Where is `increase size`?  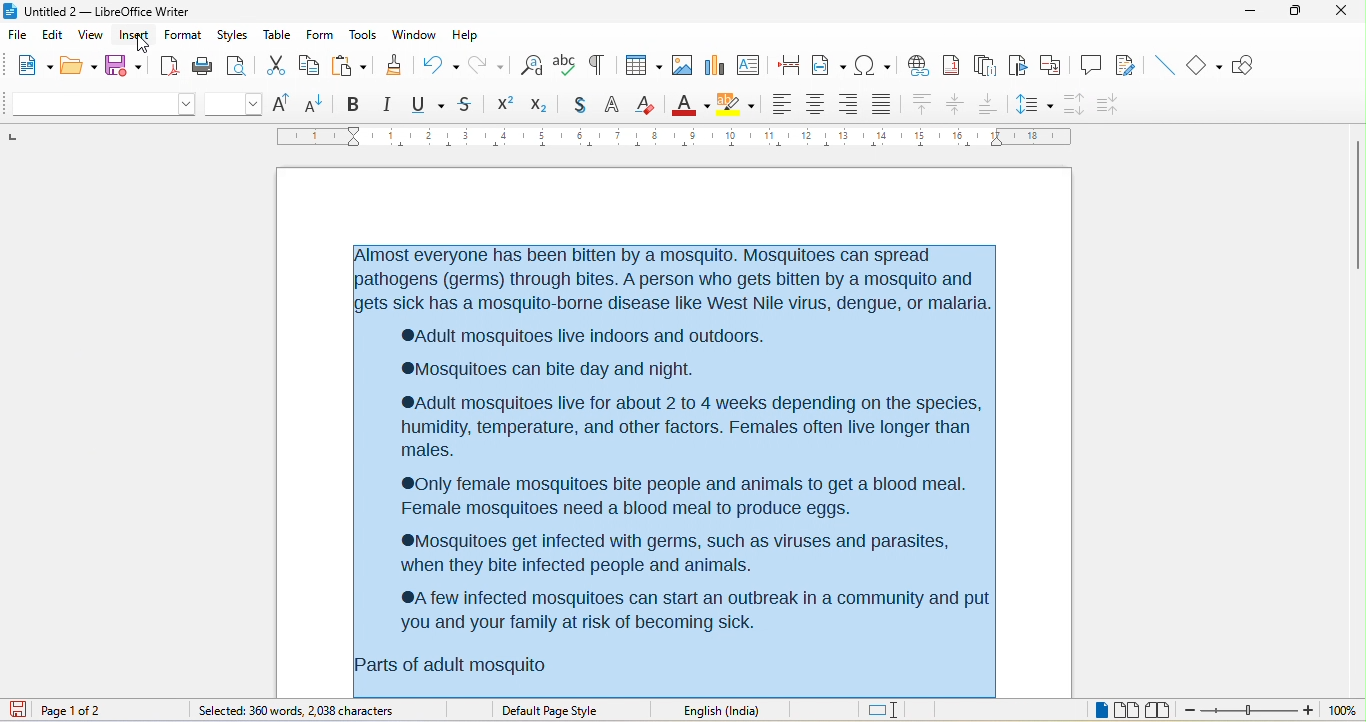
increase size is located at coordinates (284, 102).